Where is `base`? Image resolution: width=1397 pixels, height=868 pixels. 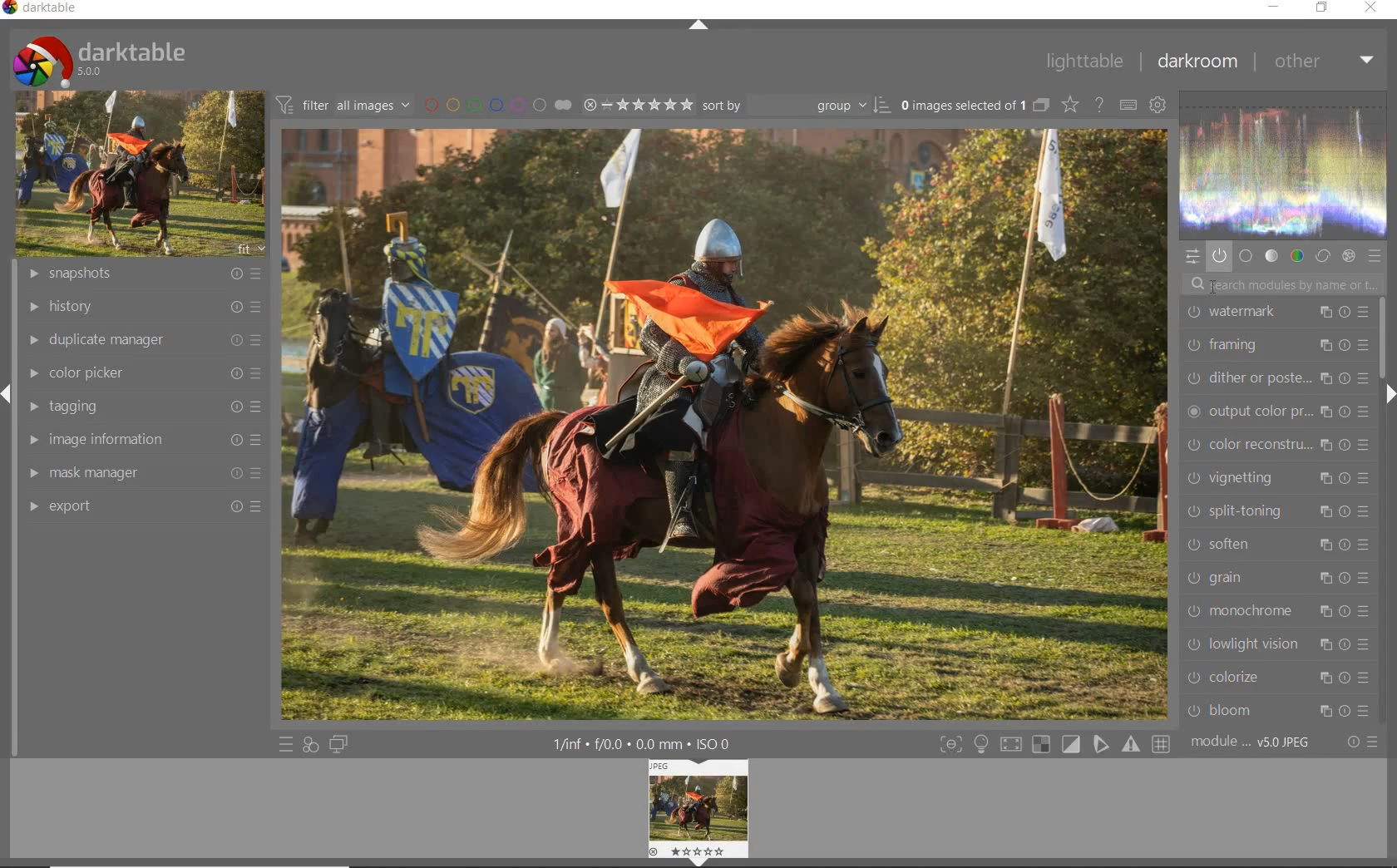
base is located at coordinates (1246, 255).